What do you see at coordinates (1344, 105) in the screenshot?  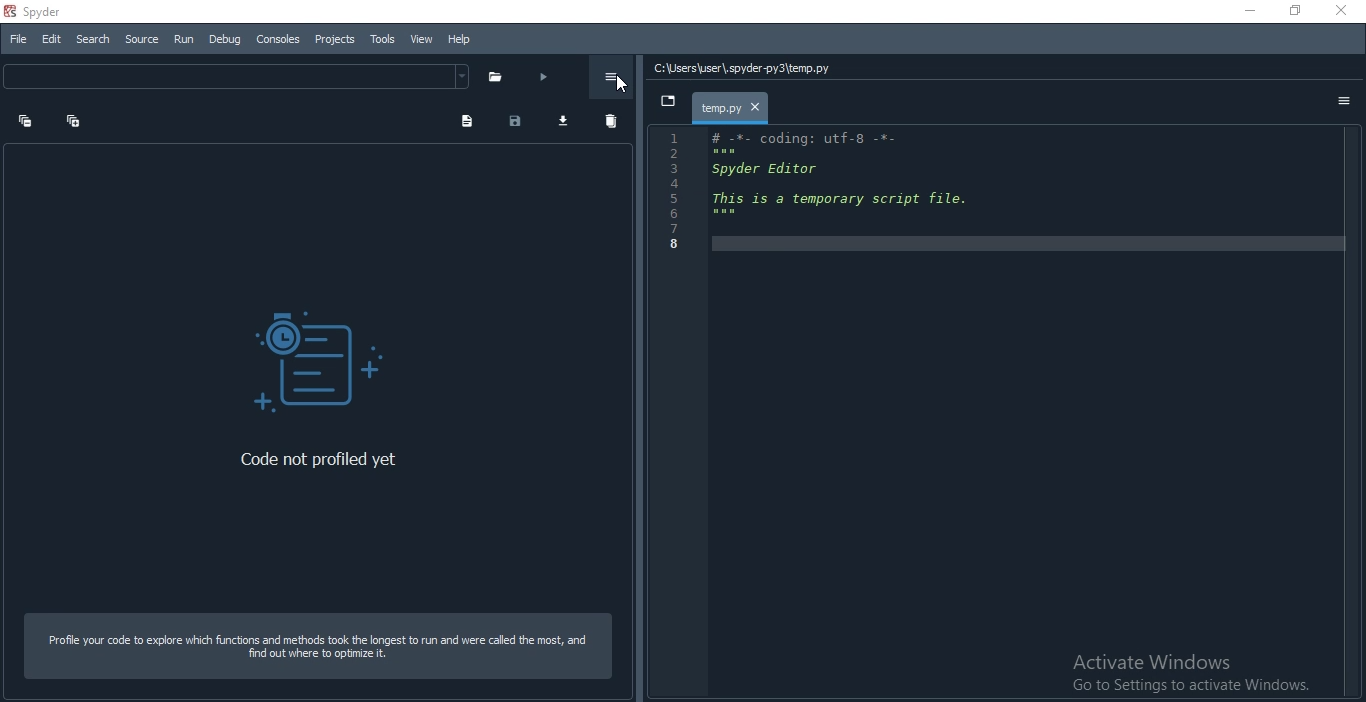 I see `options` at bounding box center [1344, 105].